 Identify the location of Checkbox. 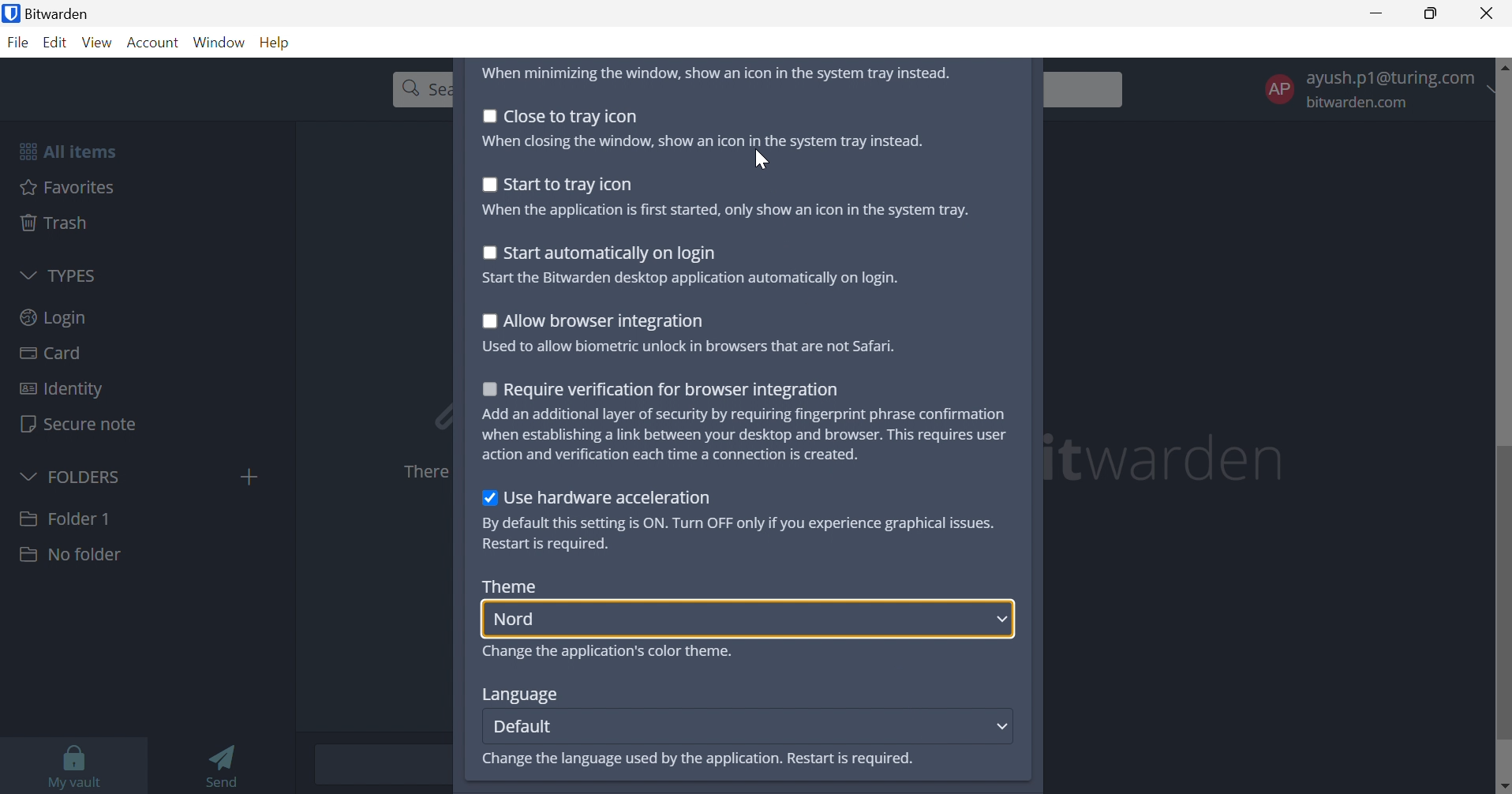
(488, 321).